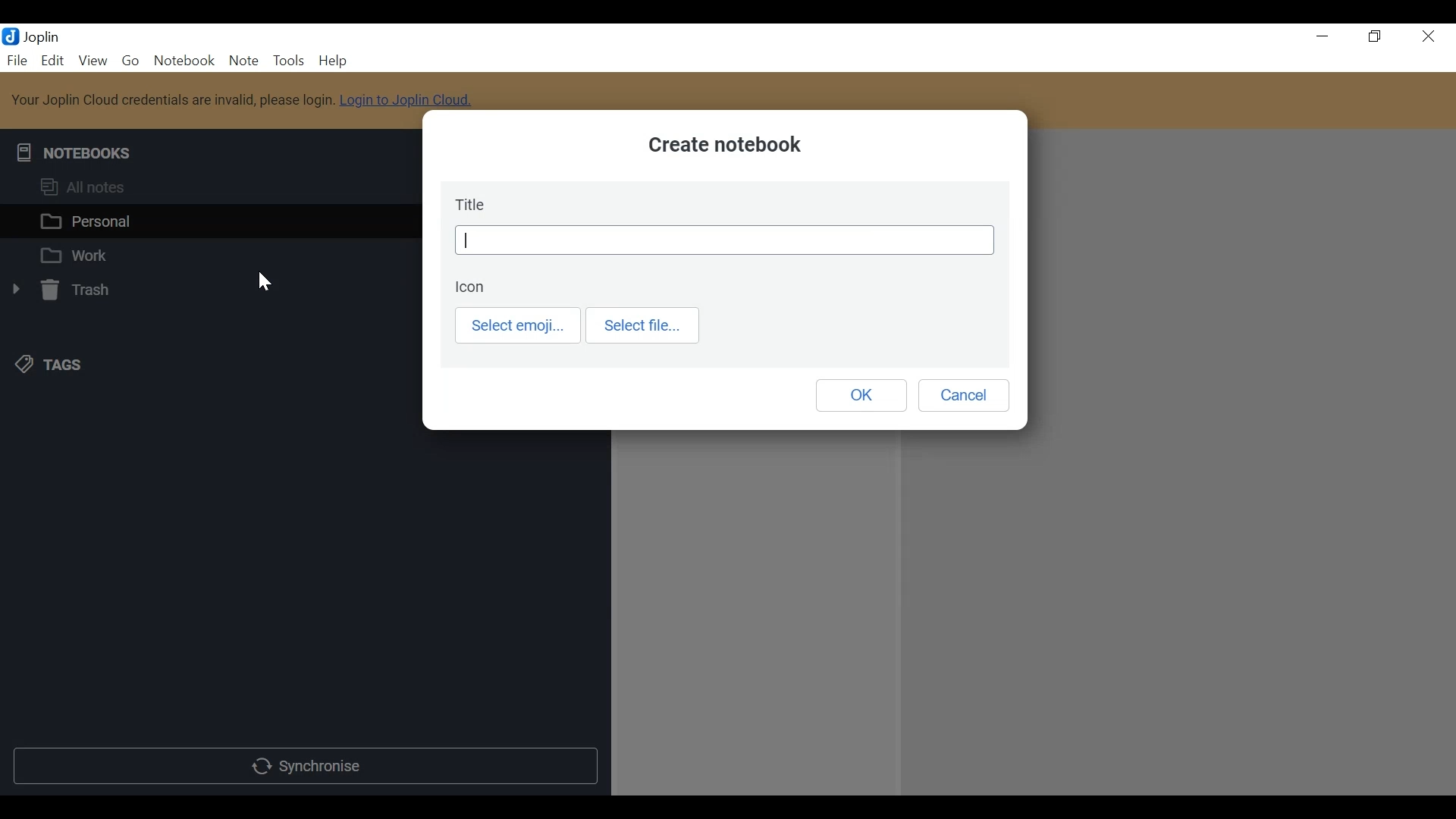 This screenshot has width=1456, height=819. Describe the element at coordinates (214, 221) in the screenshot. I see `Personal` at that location.